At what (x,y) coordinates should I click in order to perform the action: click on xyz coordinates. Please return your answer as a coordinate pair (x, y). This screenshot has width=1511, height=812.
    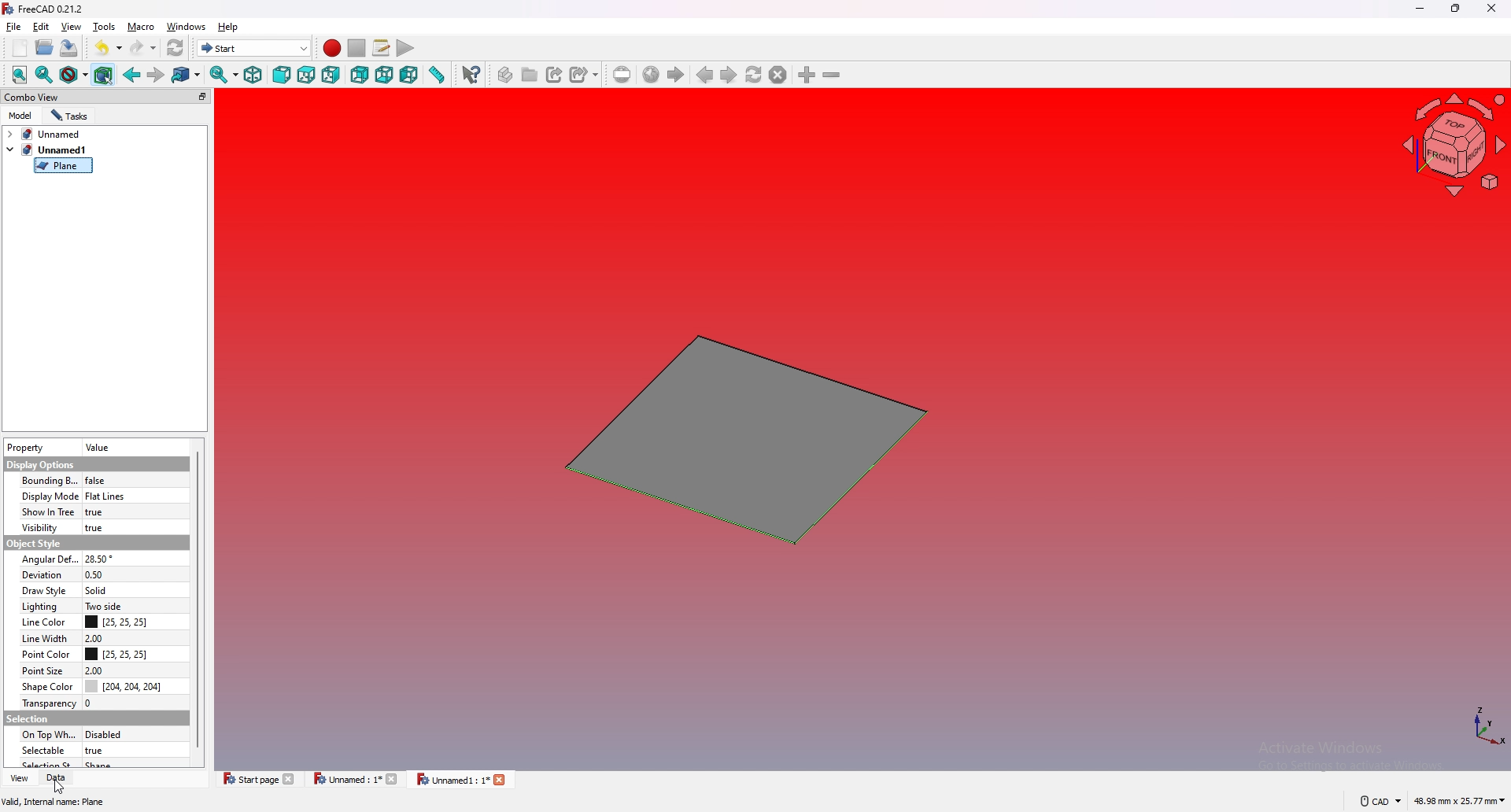
    Looking at the image, I should click on (1469, 727).